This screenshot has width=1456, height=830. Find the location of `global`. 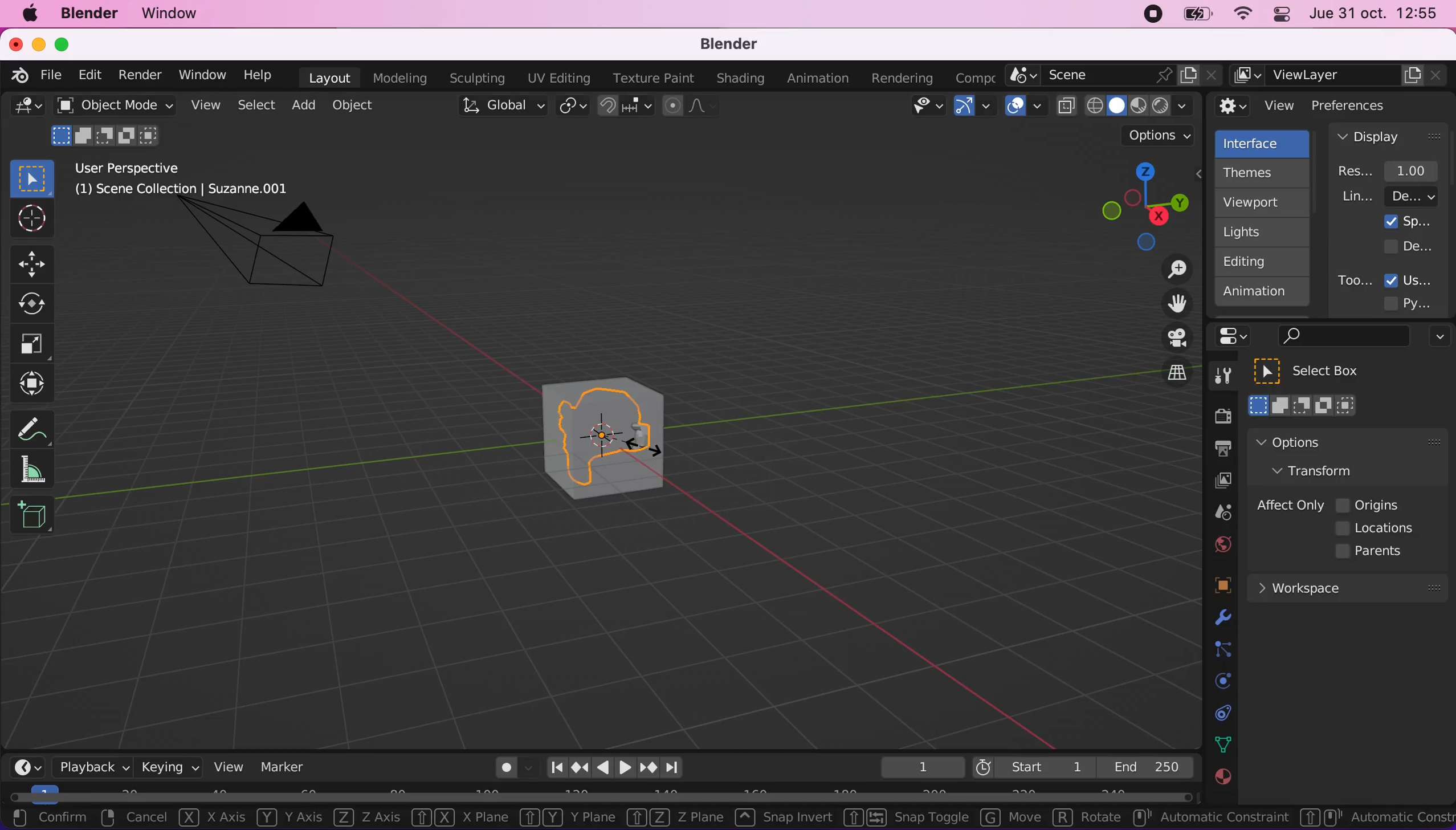

global is located at coordinates (500, 108).